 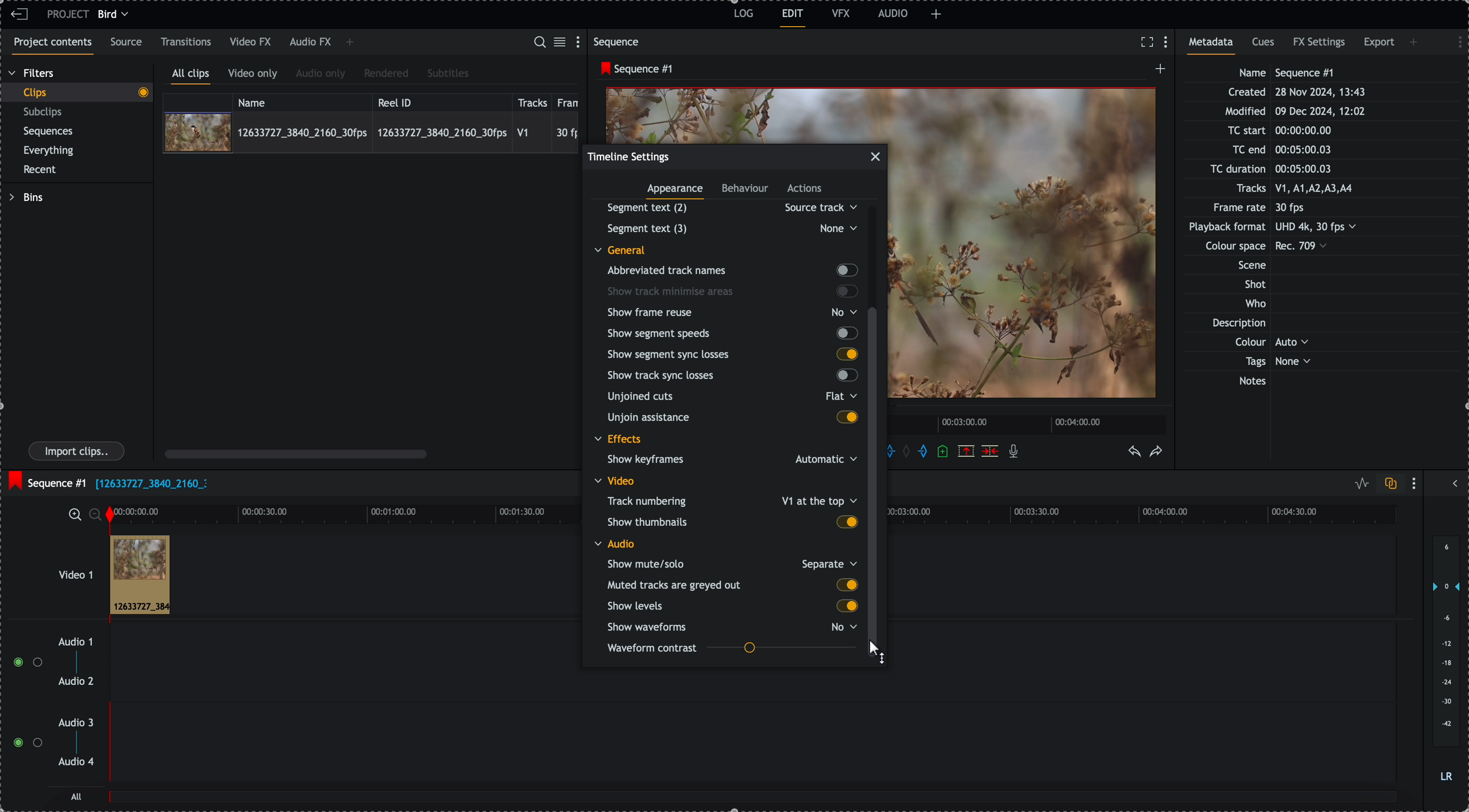 I want to click on show settings menu, so click(x=581, y=41).